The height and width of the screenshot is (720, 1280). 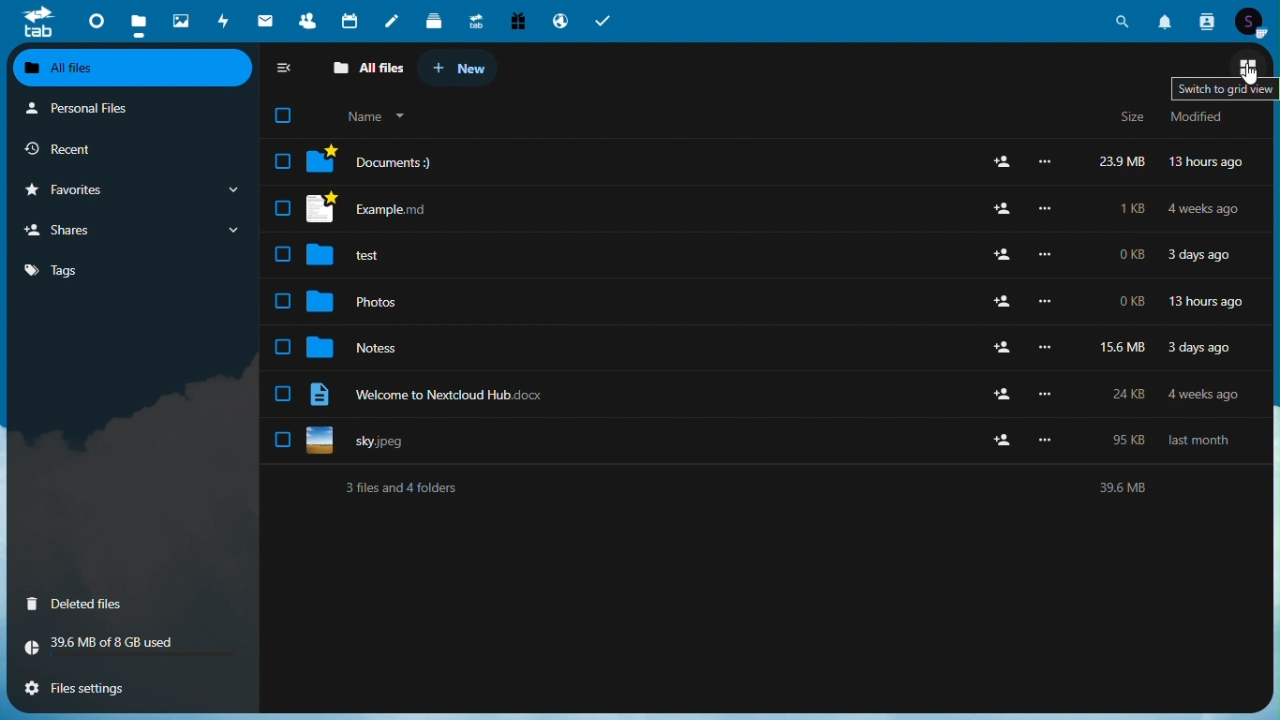 I want to click on all files, so click(x=364, y=66).